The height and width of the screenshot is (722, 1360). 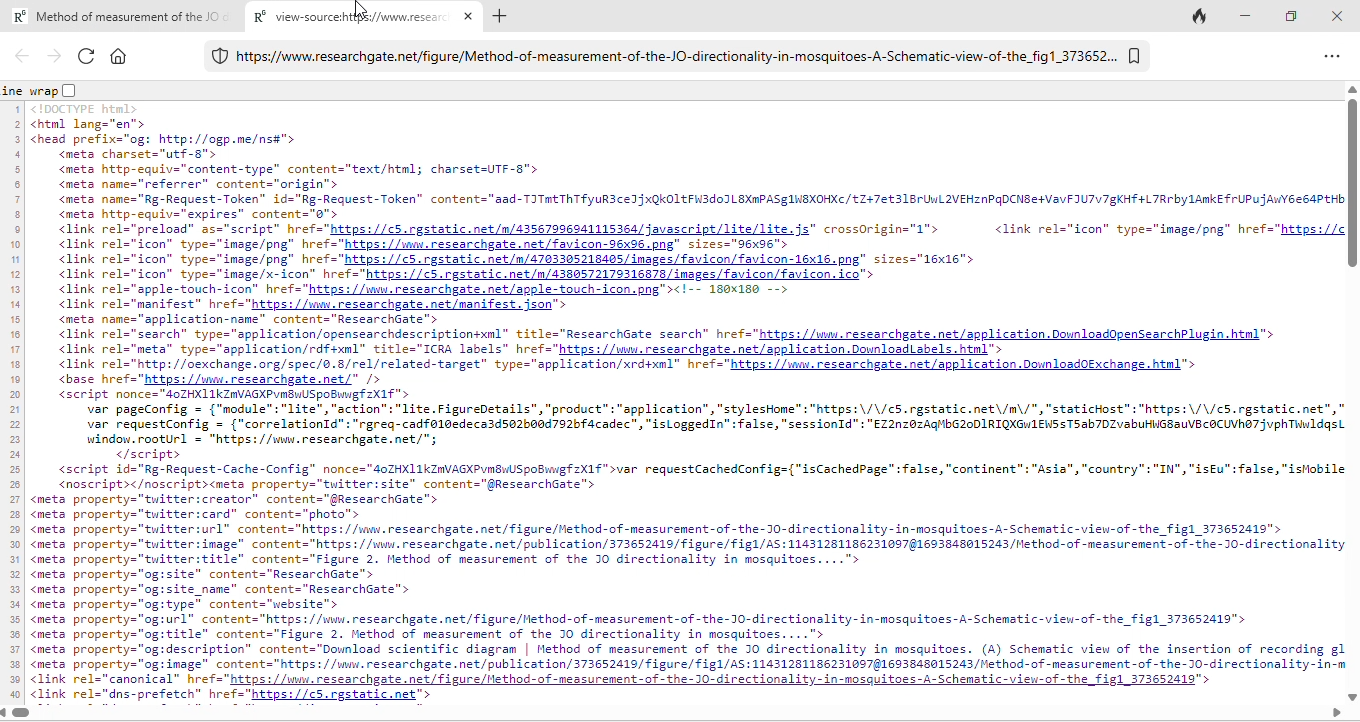 I want to click on R® Method of measurement of the JC, so click(x=117, y=17).